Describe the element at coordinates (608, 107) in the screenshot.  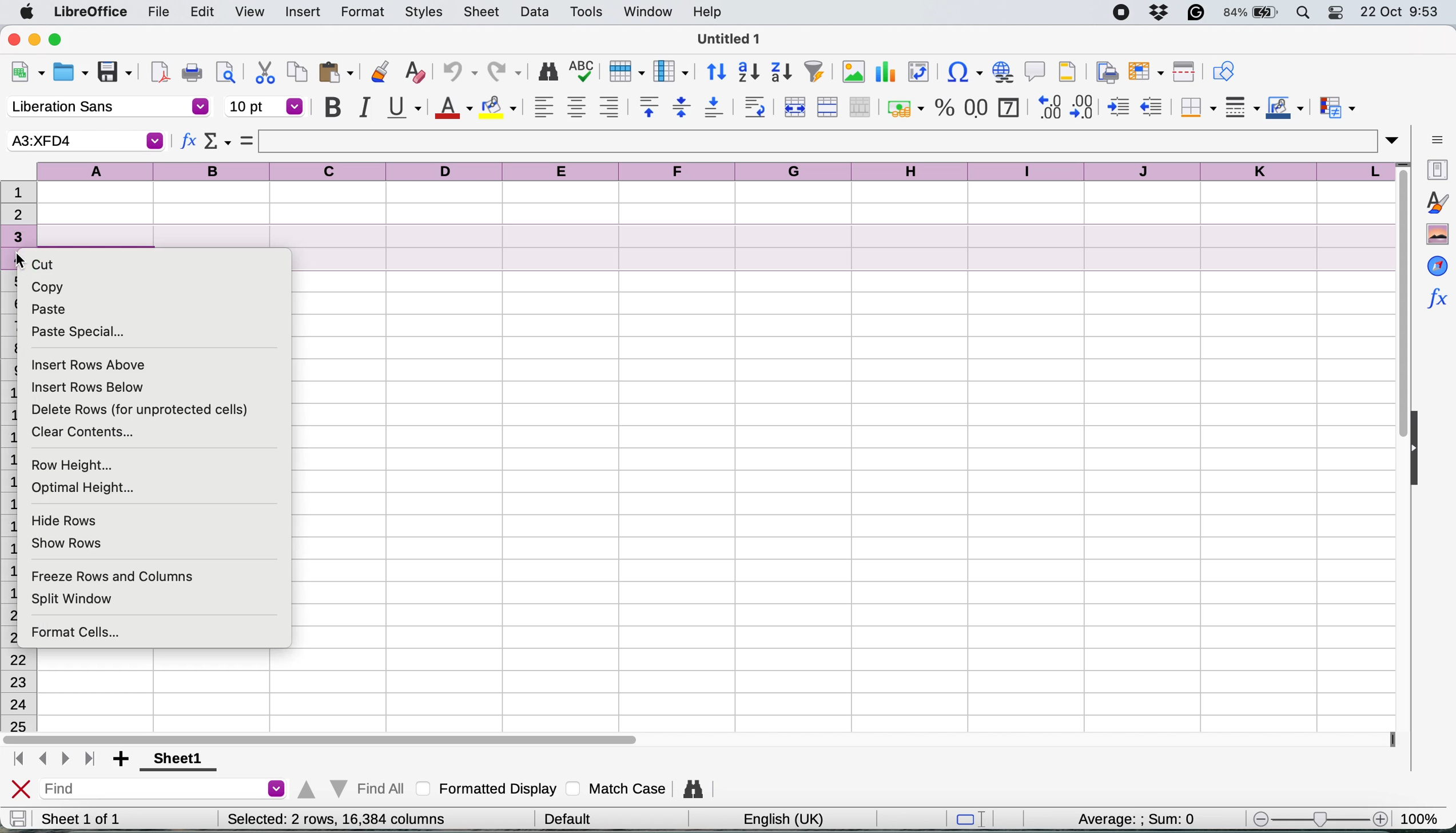
I see `align right` at that location.